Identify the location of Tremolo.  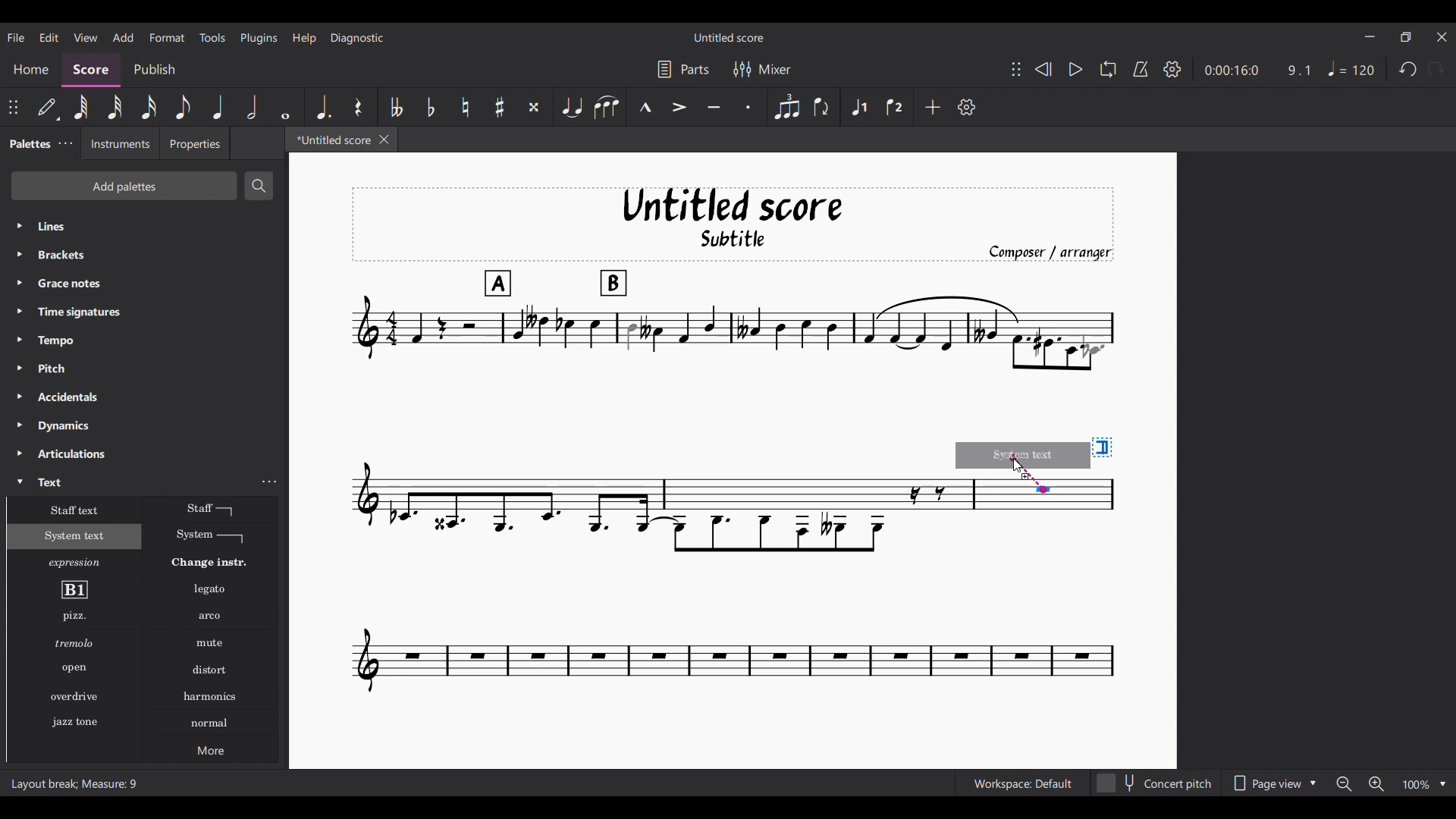
(74, 642).